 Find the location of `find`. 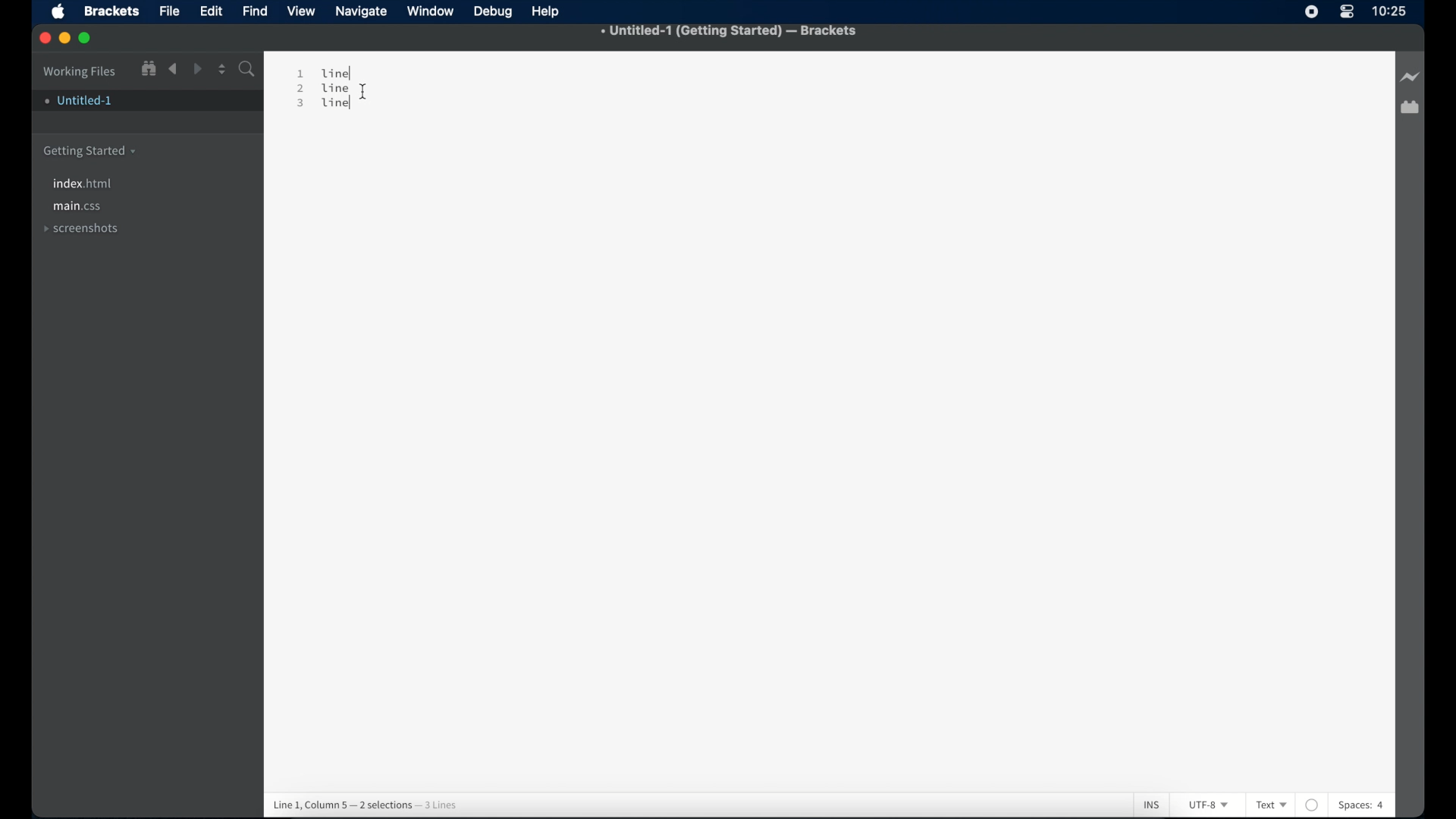

find is located at coordinates (256, 11).